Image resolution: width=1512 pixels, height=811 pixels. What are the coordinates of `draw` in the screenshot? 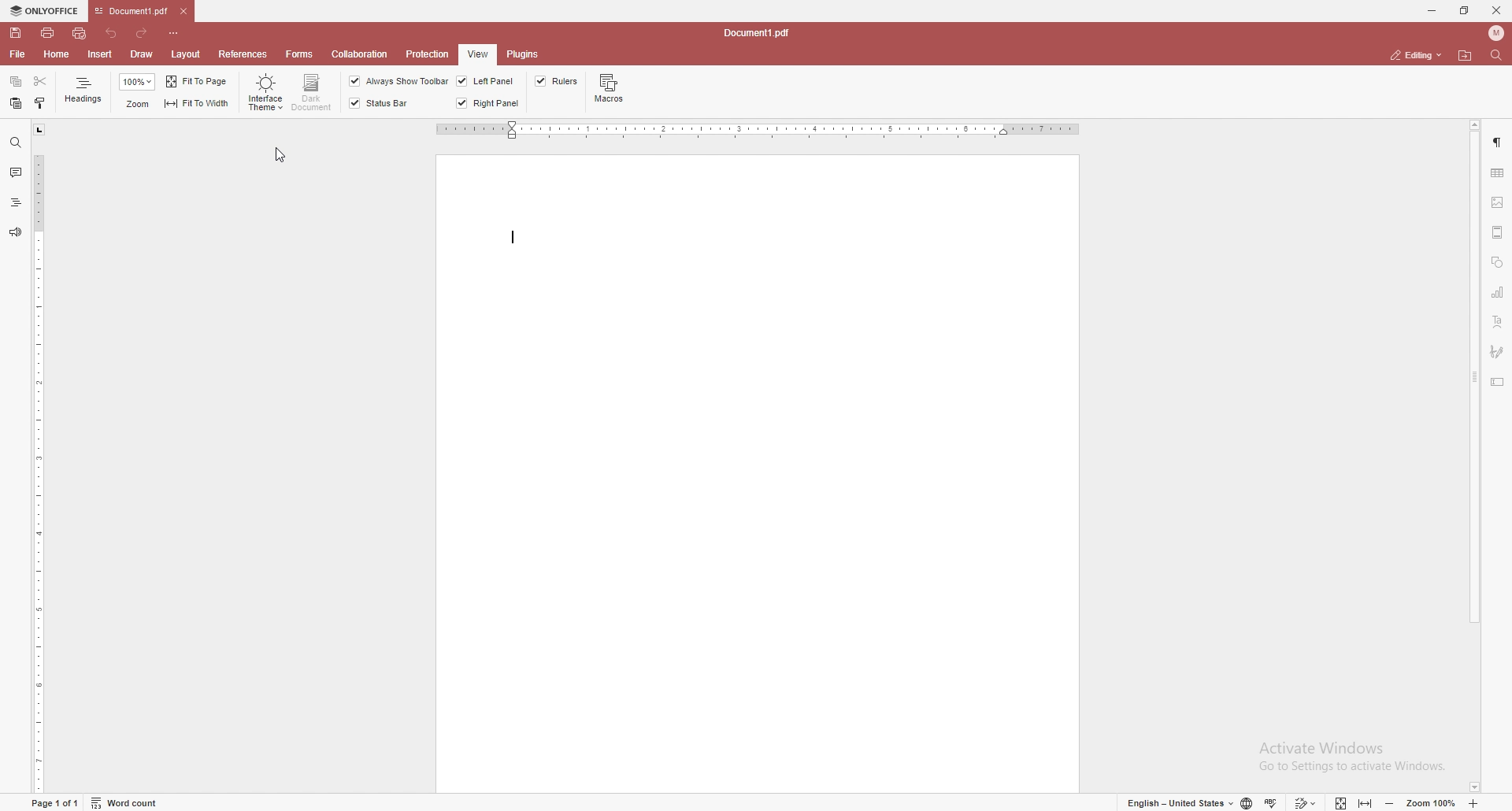 It's located at (142, 54).